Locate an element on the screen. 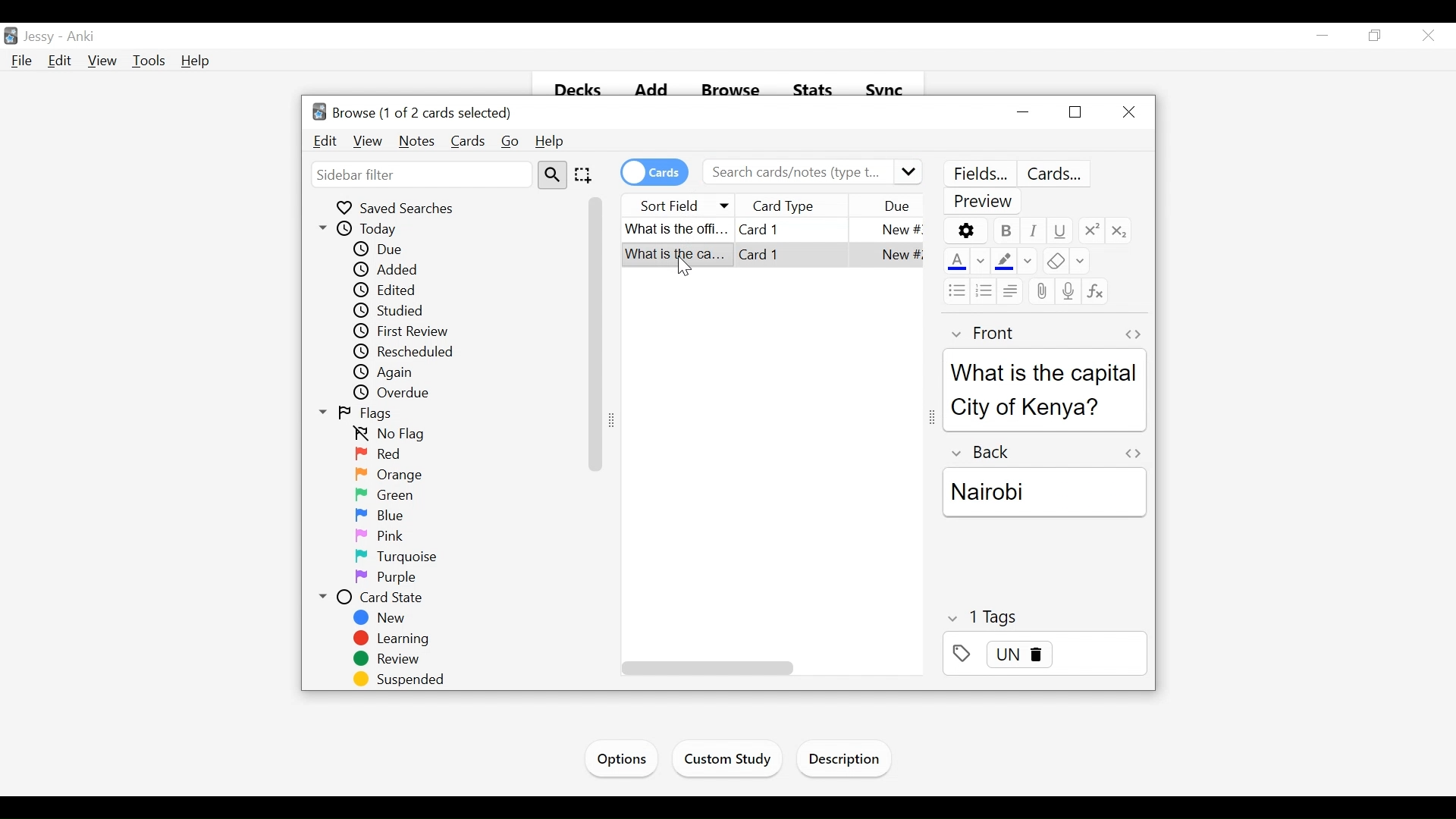 This screenshot has height=819, width=1456. Toggle cards on/off is located at coordinates (653, 172).